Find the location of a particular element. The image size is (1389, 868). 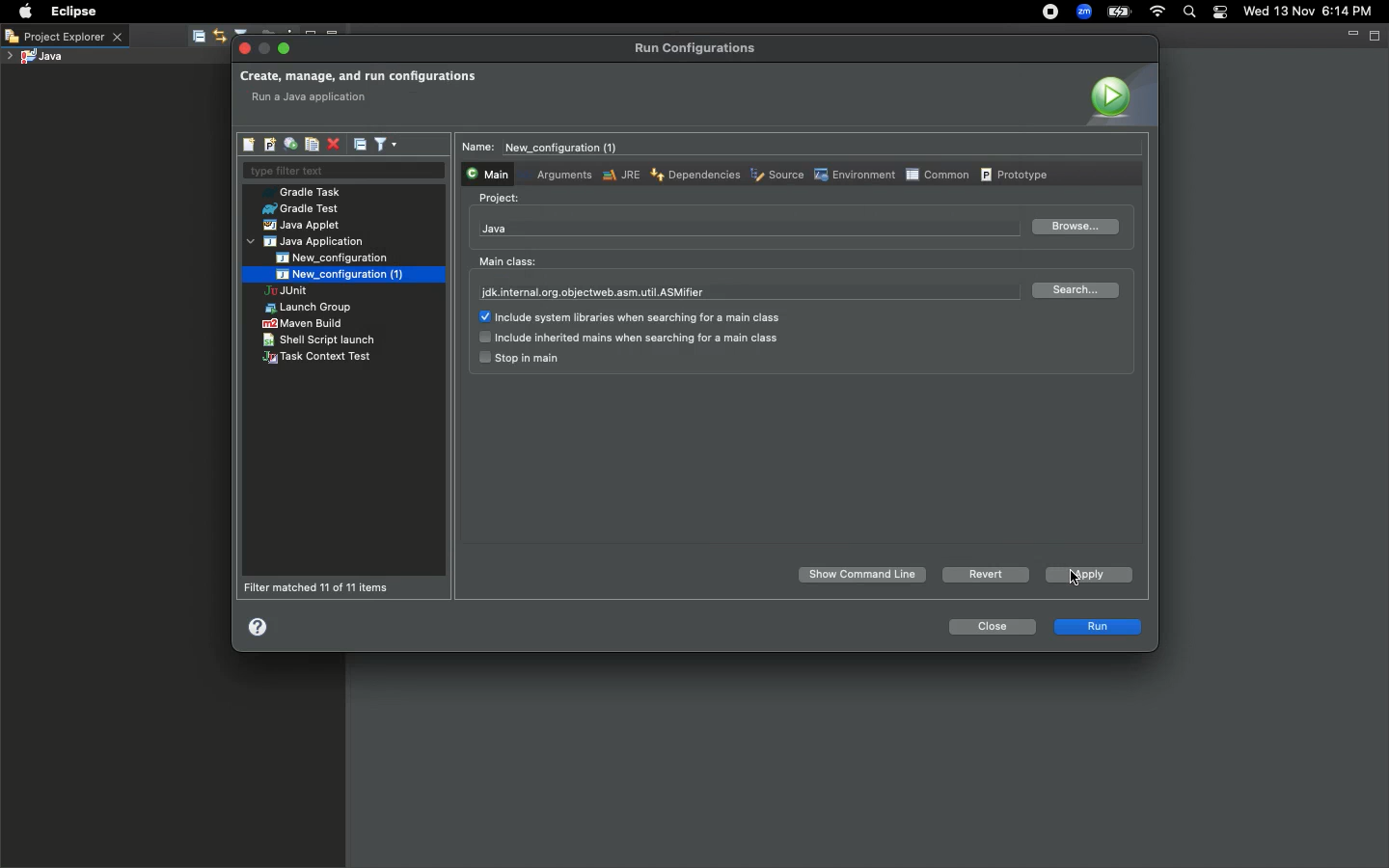

New_configuration is located at coordinates (344, 258).